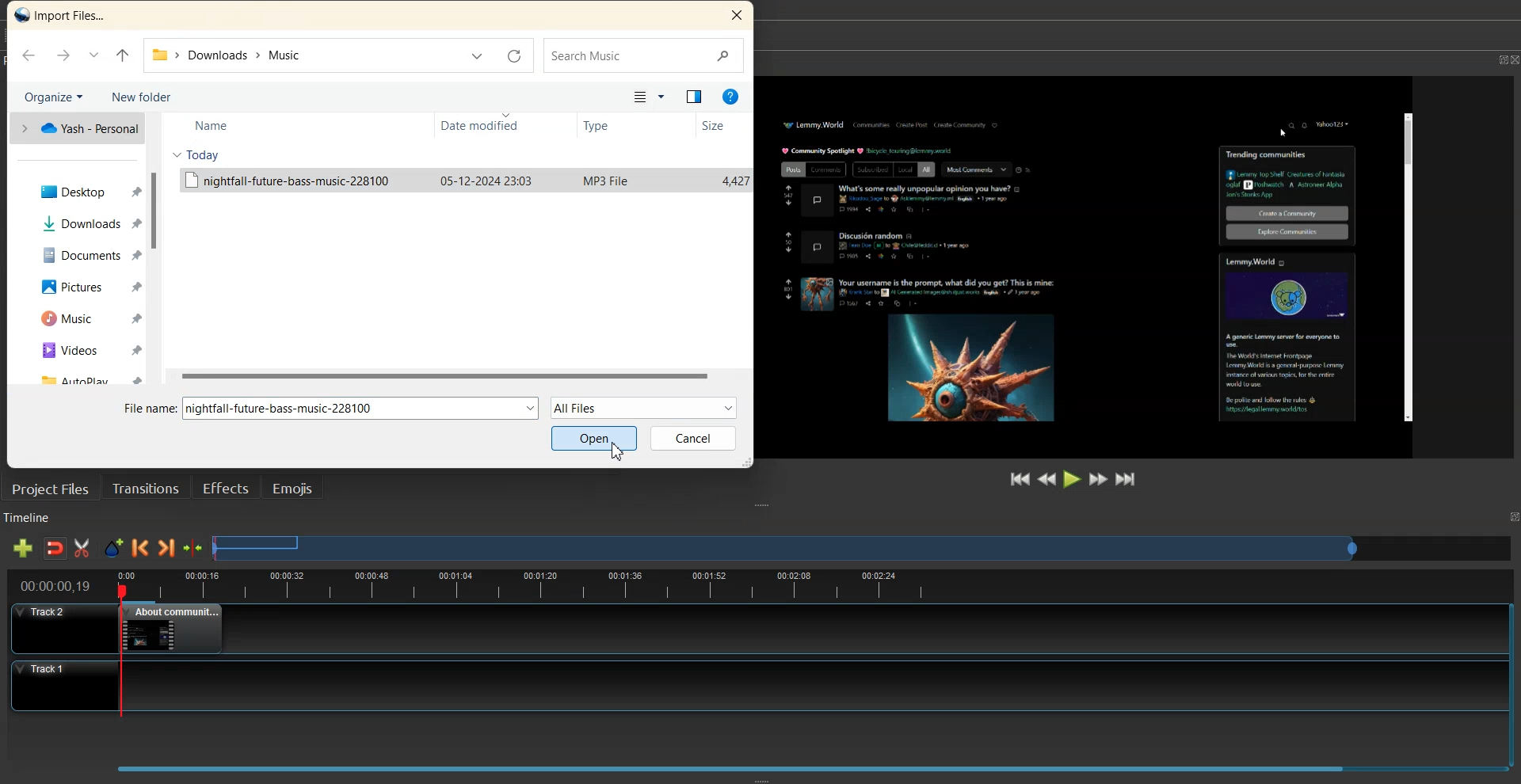  I want to click on AutoPlay, so click(76, 377).